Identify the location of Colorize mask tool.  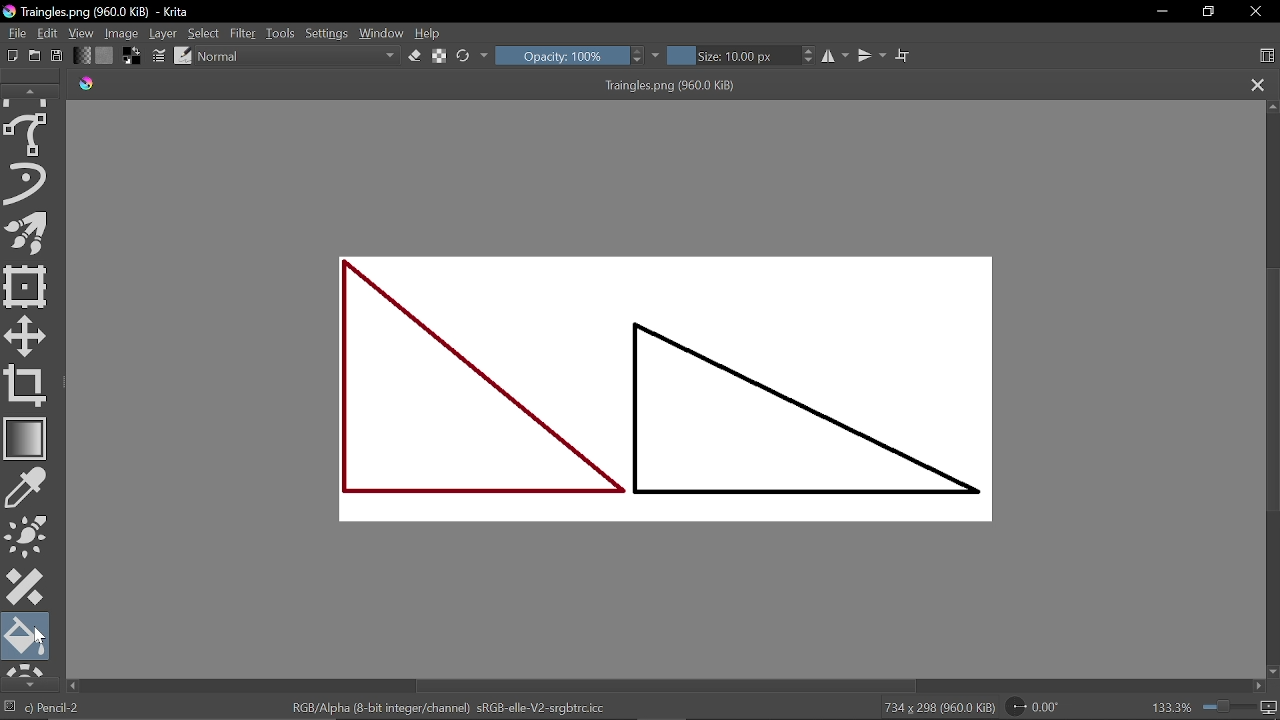
(28, 536).